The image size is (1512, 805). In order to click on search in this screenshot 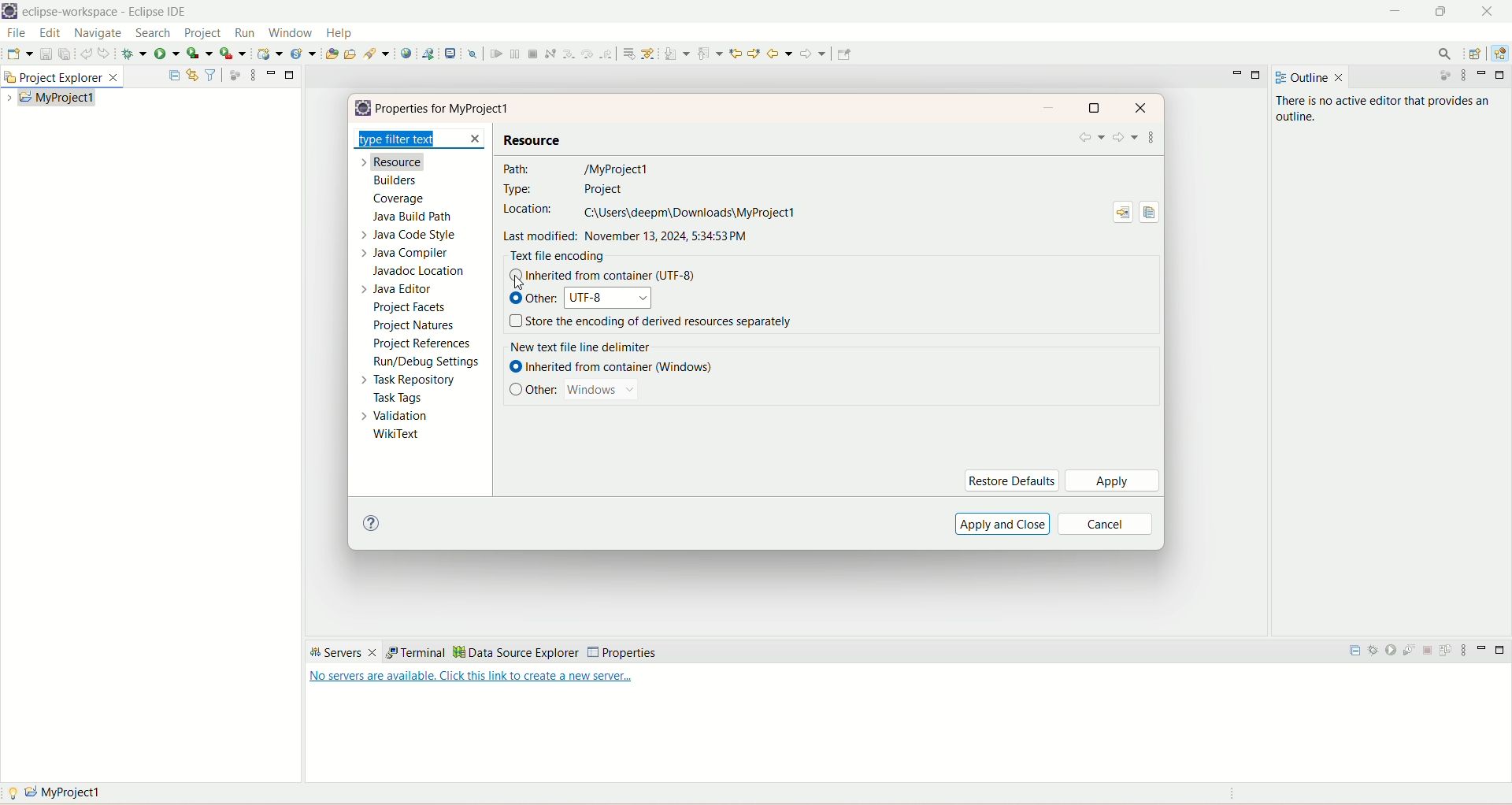, I will do `click(153, 33)`.